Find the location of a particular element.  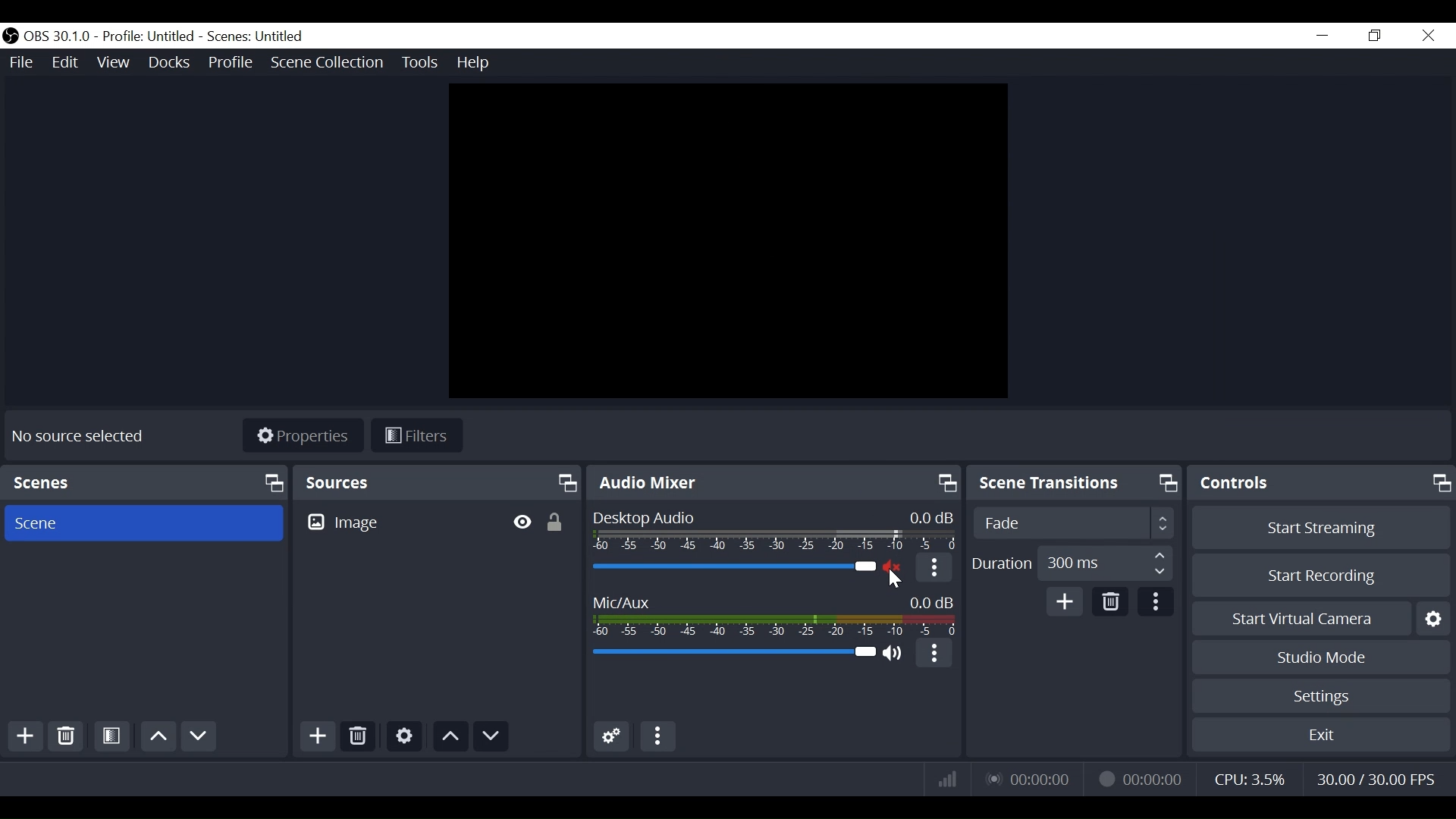

Bitrate is located at coordinates (947, 781).